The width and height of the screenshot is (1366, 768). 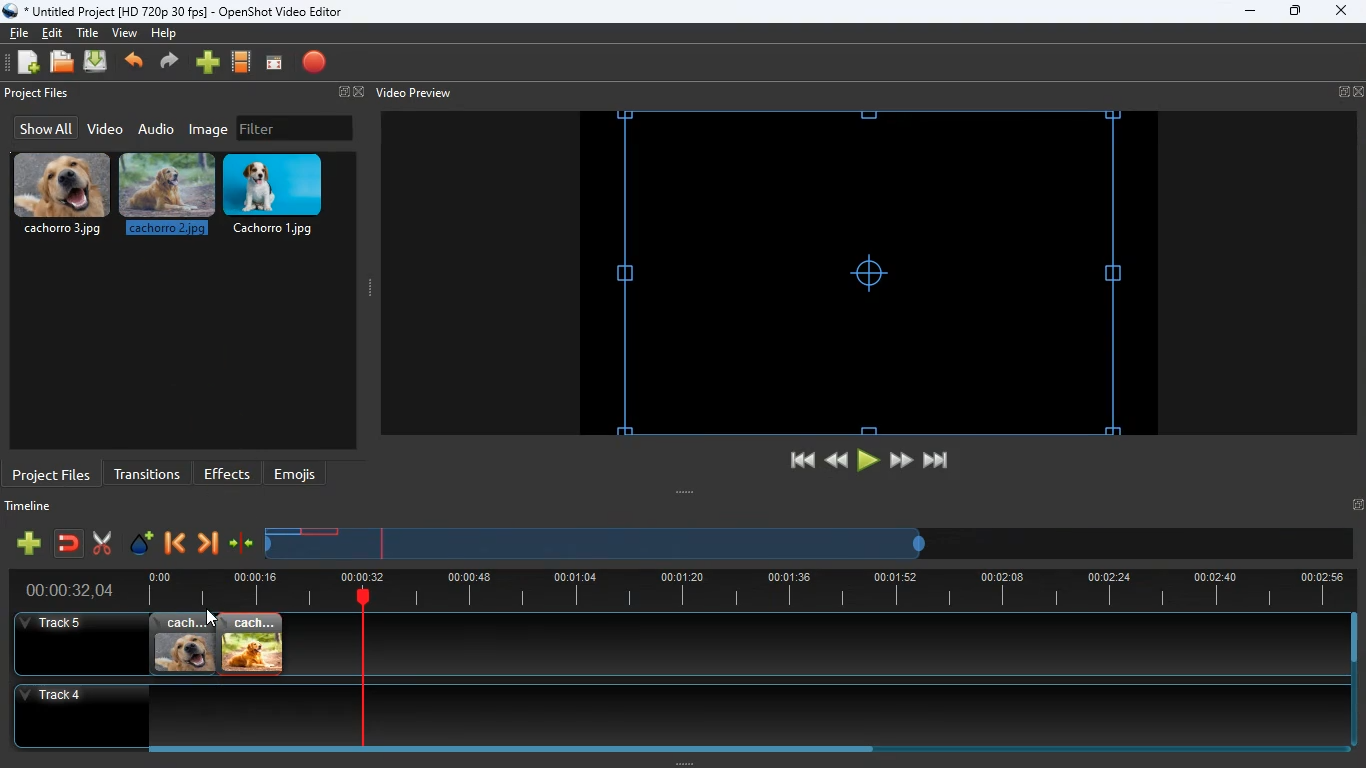 I want to click on track 5, so click(x=56, y=624).